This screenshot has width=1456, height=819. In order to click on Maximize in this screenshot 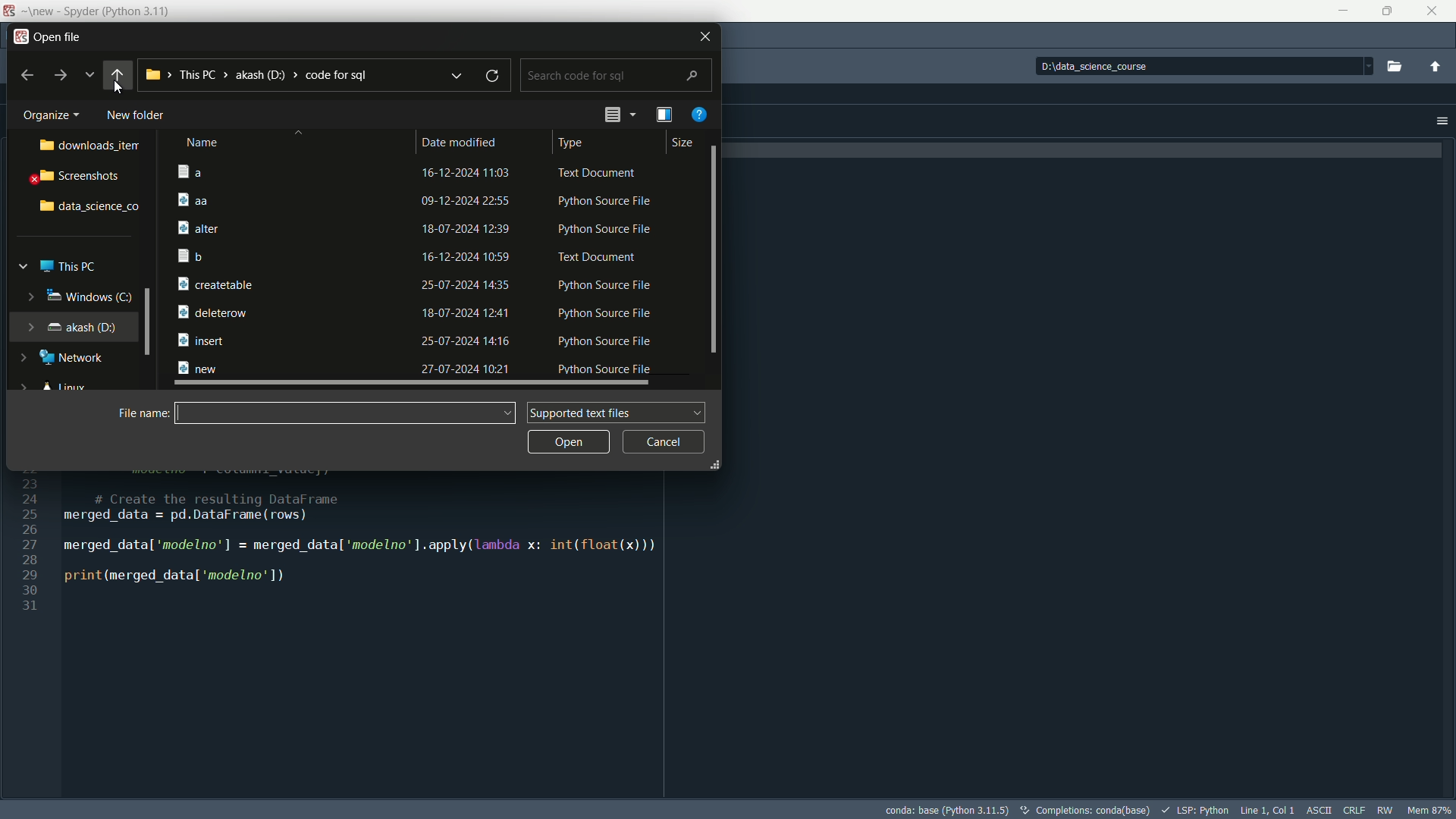, I will do `click(1387, 11)`.